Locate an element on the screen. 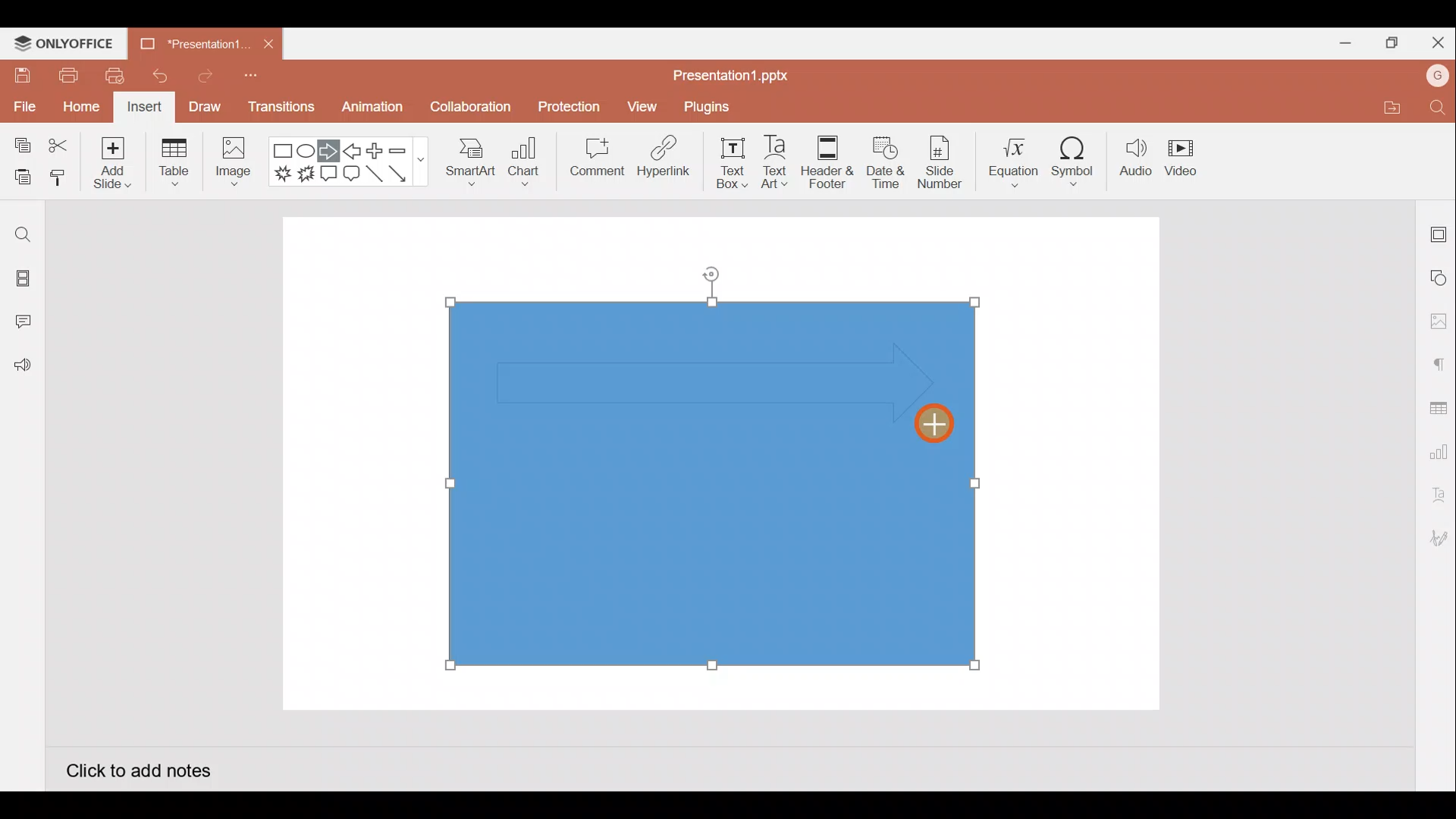 The height and width of the screenshot is (819, 1456). Explosion 1 is located at coordinates (283, 173).